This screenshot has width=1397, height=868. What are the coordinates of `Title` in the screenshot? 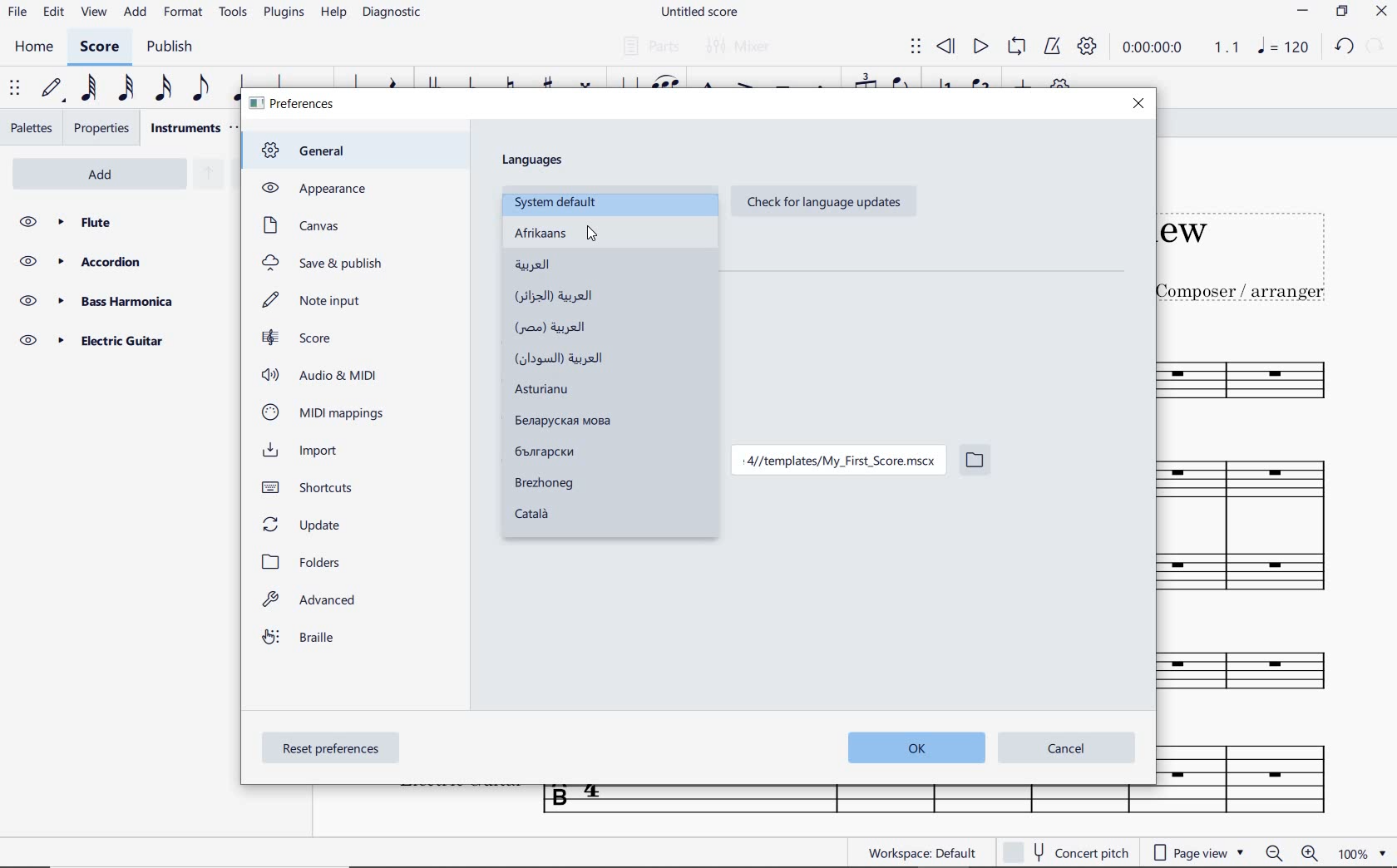 It's located at (1261, 248).